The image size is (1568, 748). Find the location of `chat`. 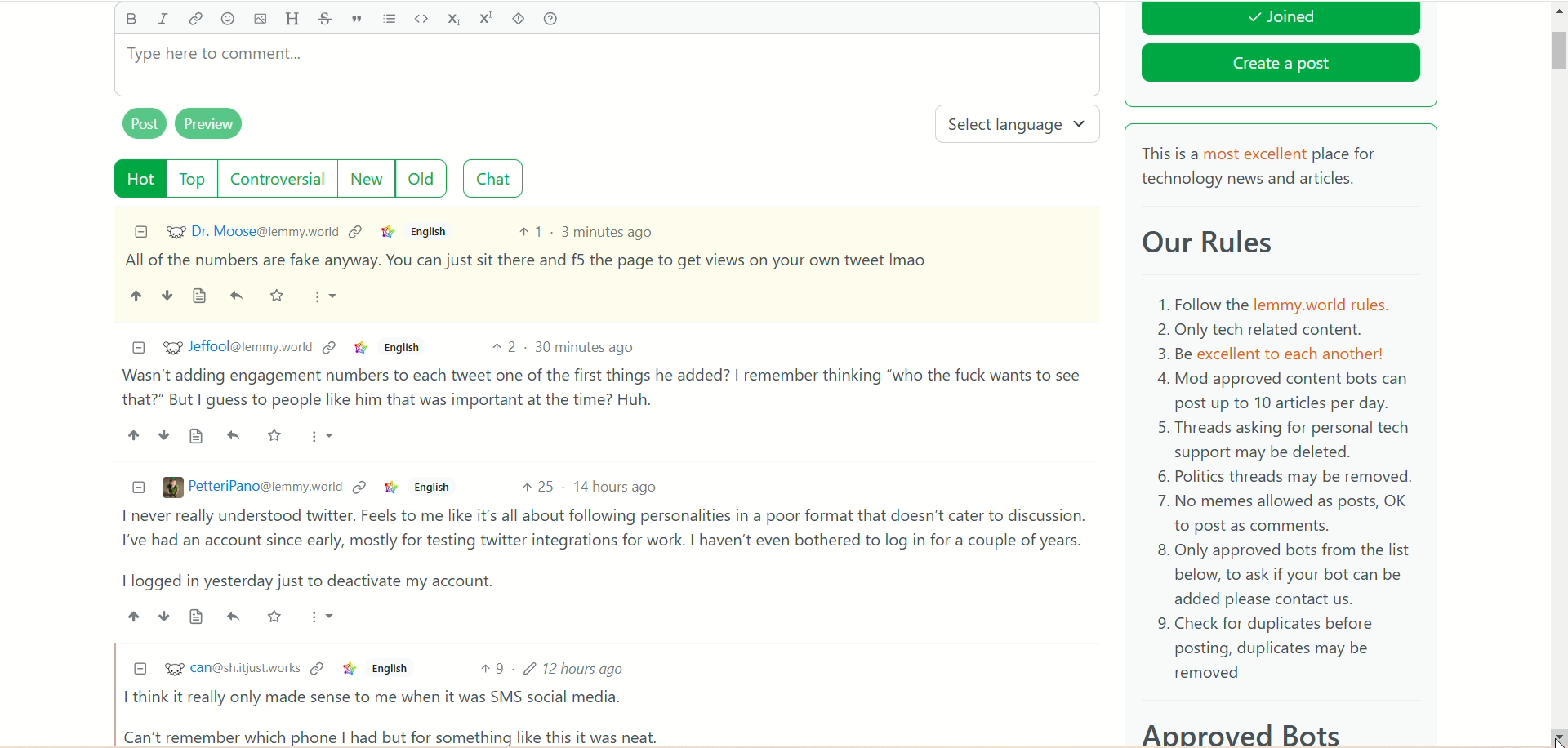

chat is located at coordinates (493, 179).